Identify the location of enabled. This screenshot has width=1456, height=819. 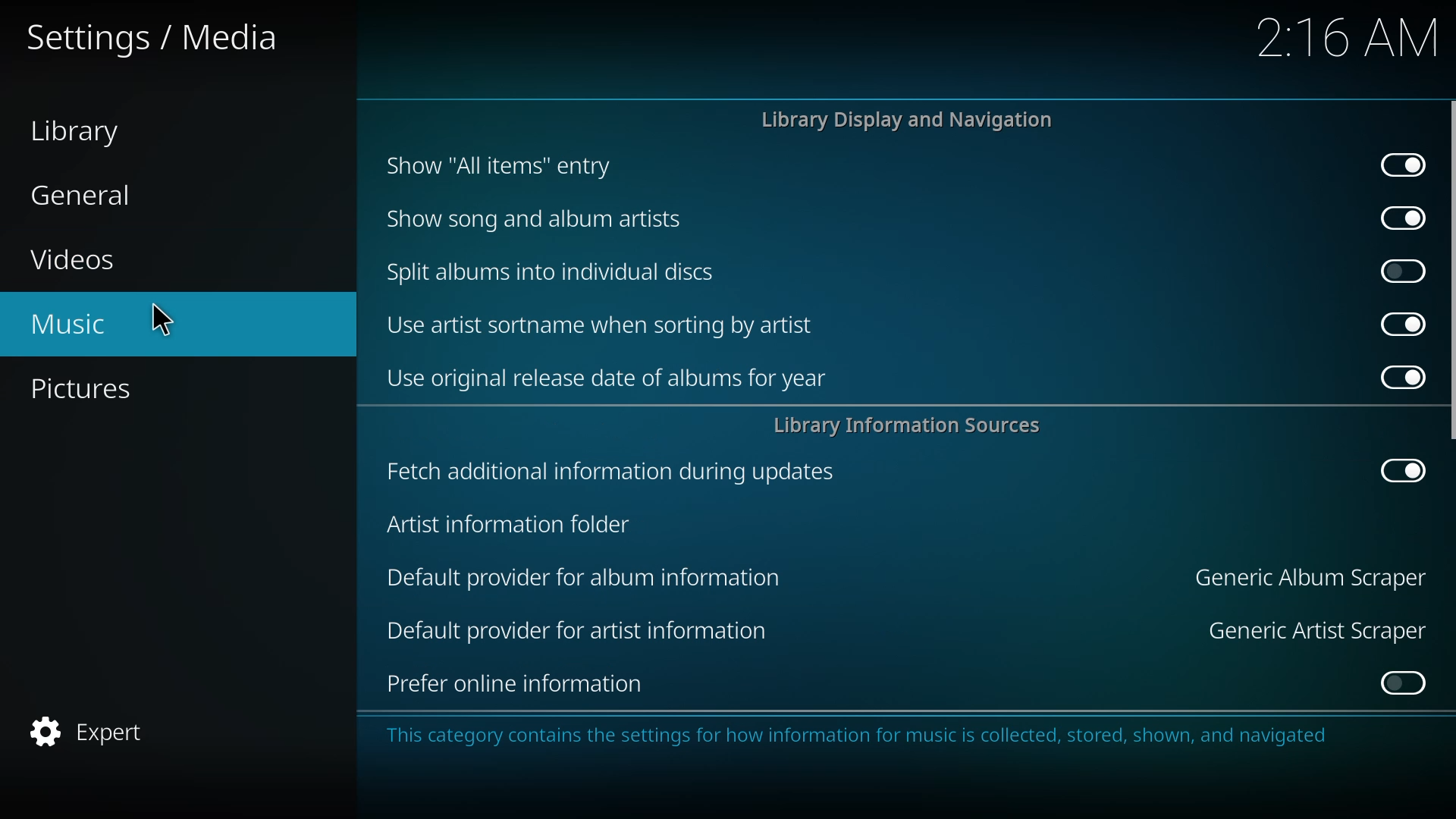
(1402, 470).